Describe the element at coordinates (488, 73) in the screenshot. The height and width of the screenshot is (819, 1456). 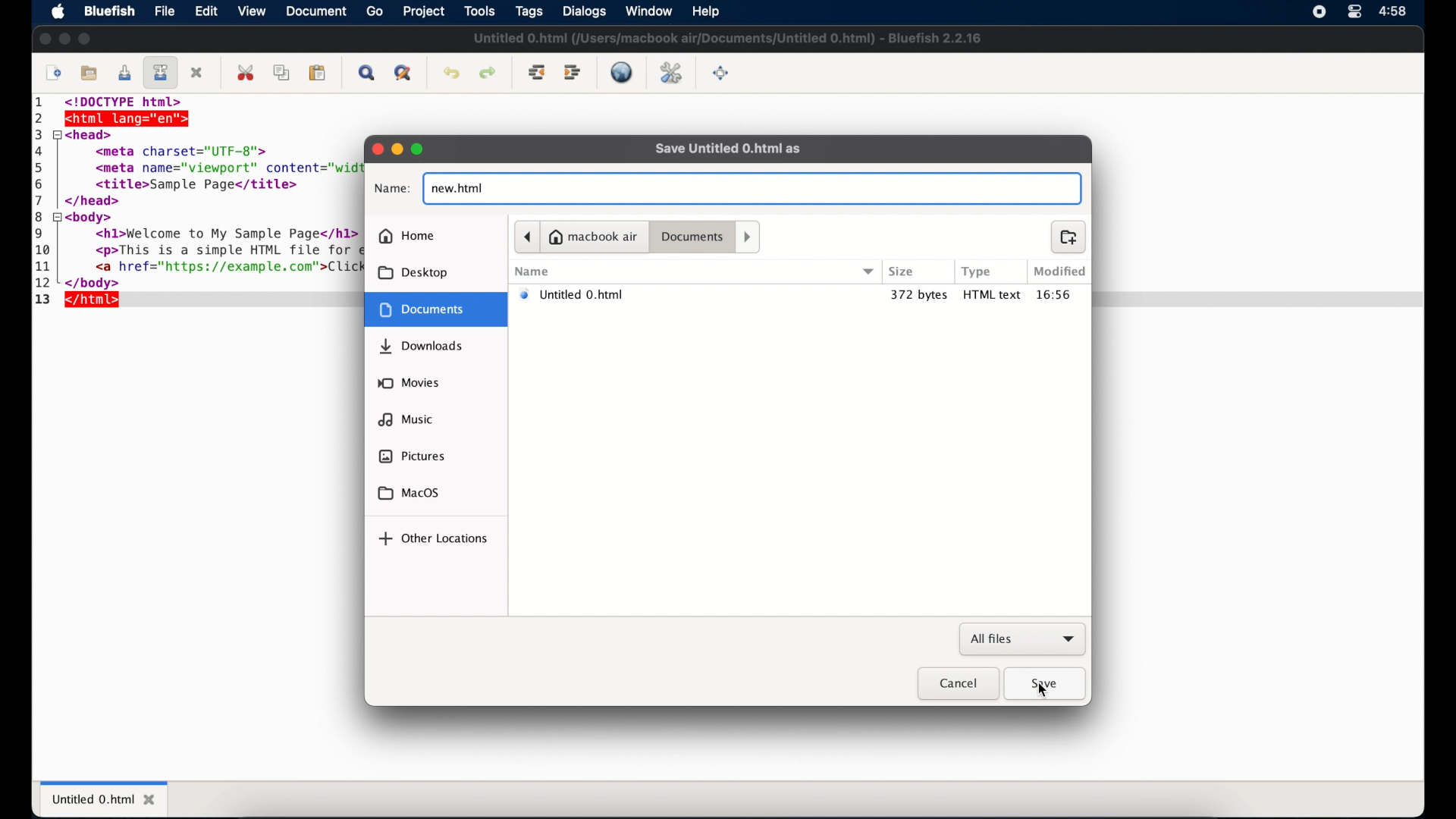
I see `redo` at that location.